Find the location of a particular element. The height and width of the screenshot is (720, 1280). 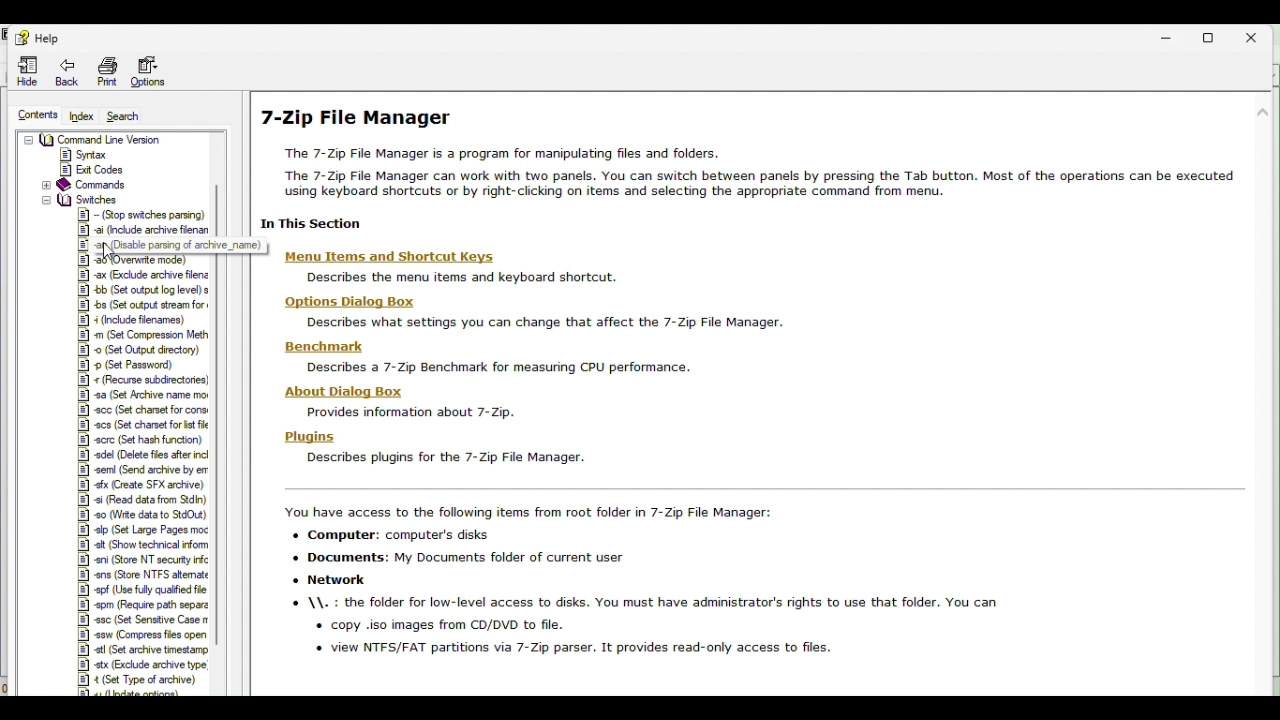

|E] ax (Exclude archive filenz | is located at coordinates (146, 276).